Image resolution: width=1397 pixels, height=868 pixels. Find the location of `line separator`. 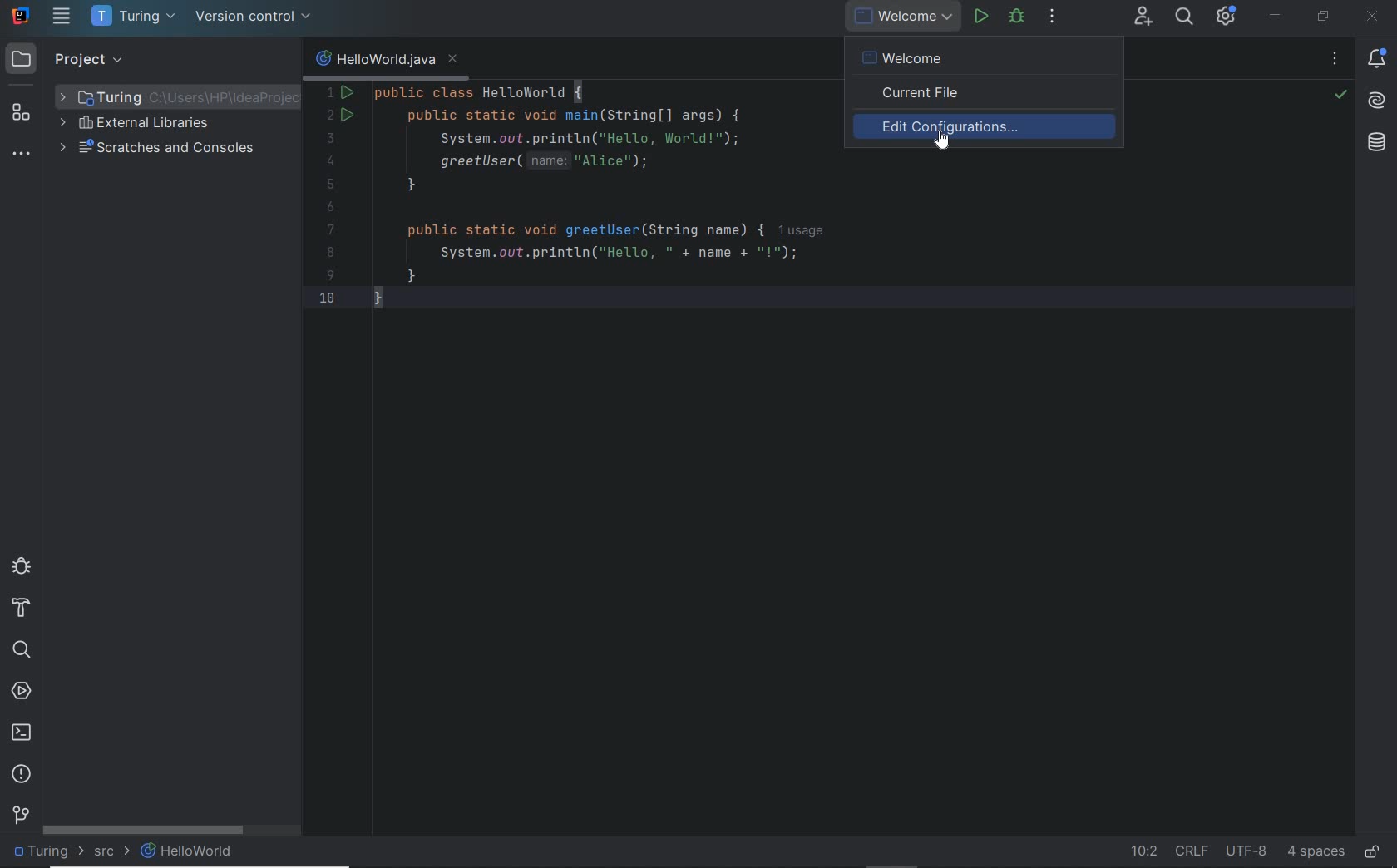

line separator is located at coordinates (1192, 851).